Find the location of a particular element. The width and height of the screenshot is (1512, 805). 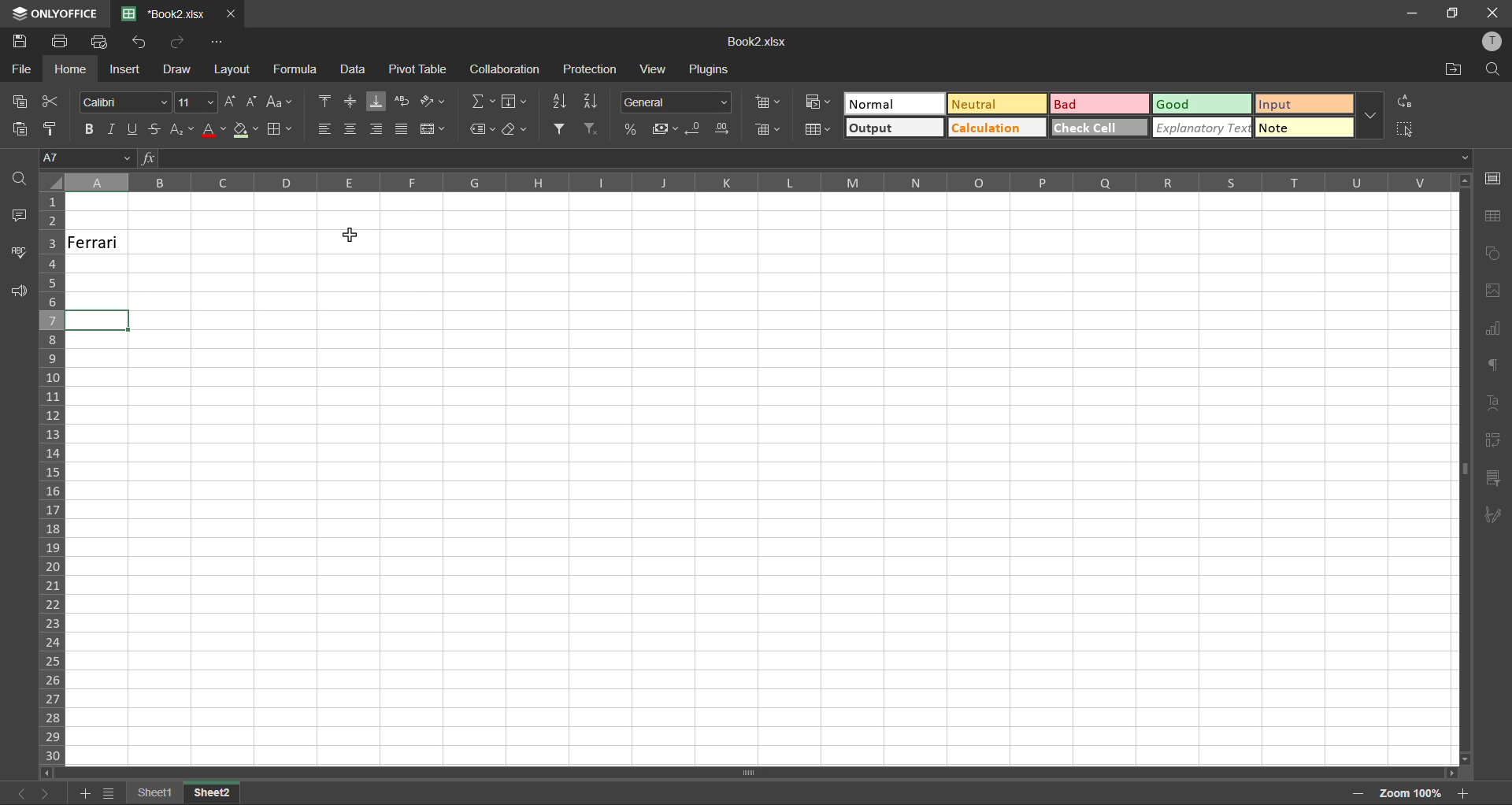

italic is located at coordinates (114, 125).